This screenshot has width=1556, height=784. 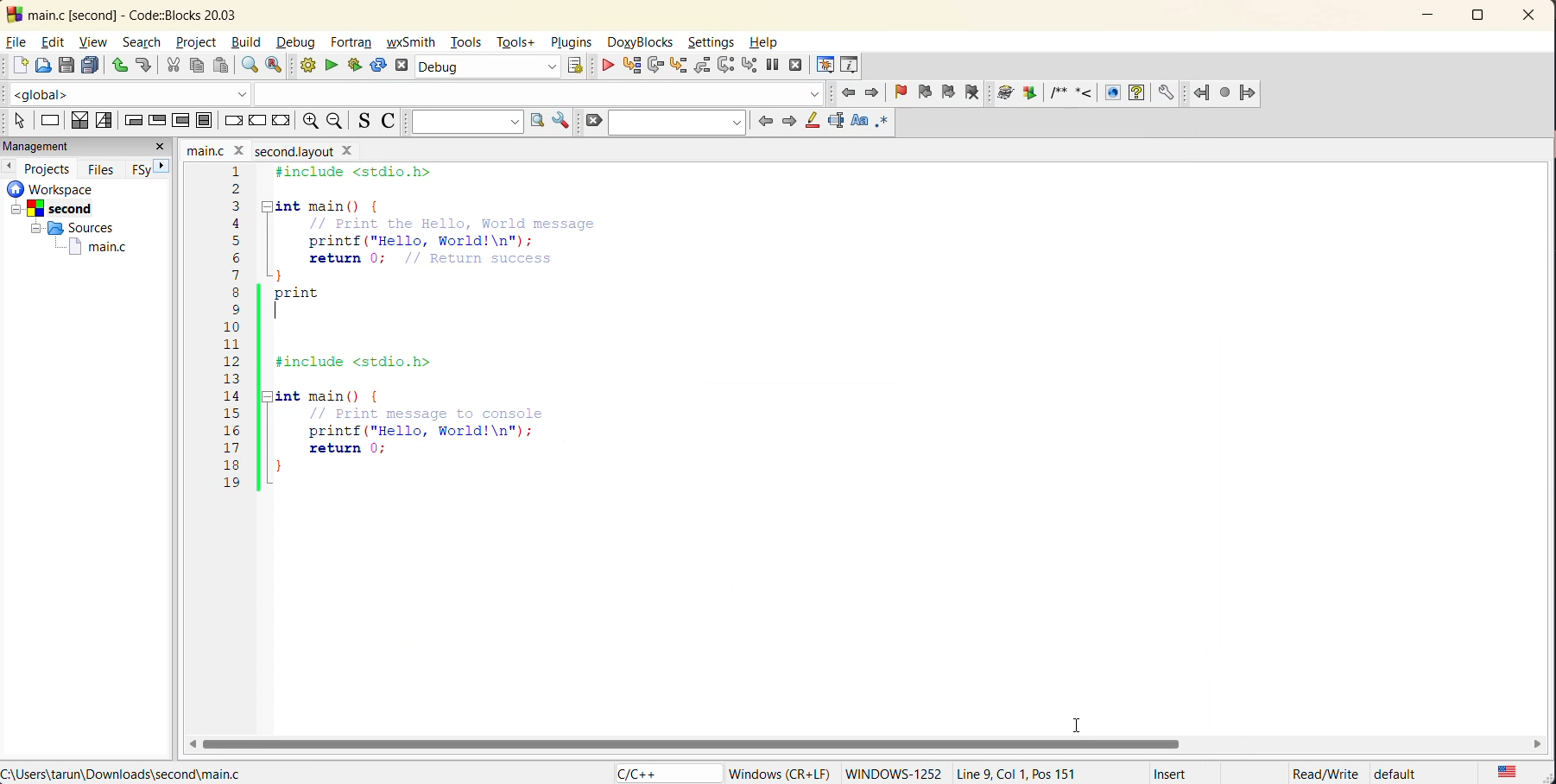 What do you see at coordinates (663, 772) in the screenshot?
I see `language` at bounding box center [663, 772].